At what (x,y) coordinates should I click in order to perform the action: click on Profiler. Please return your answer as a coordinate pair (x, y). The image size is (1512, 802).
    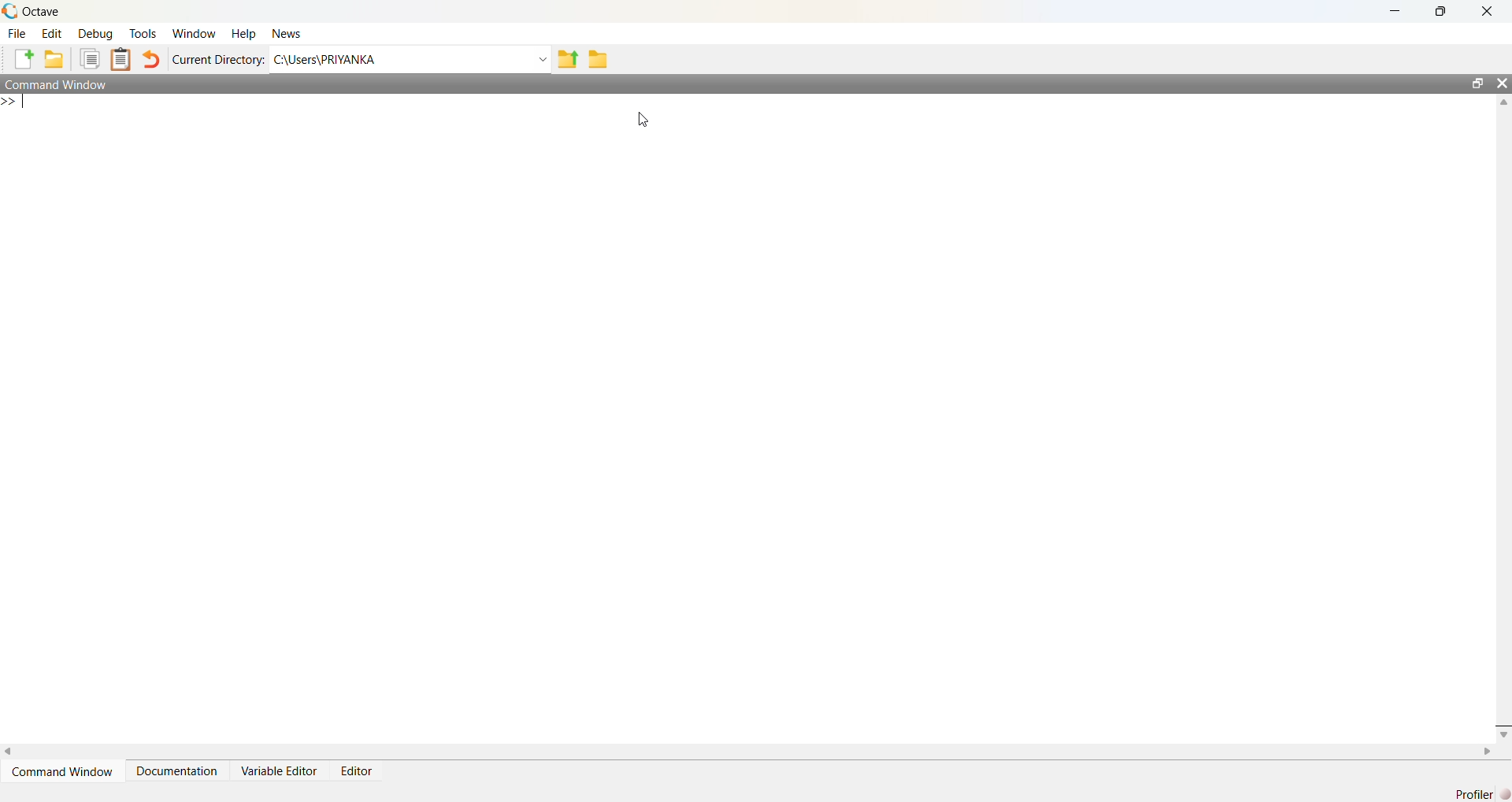
    Looking at the image, I should click on (1475, 794).